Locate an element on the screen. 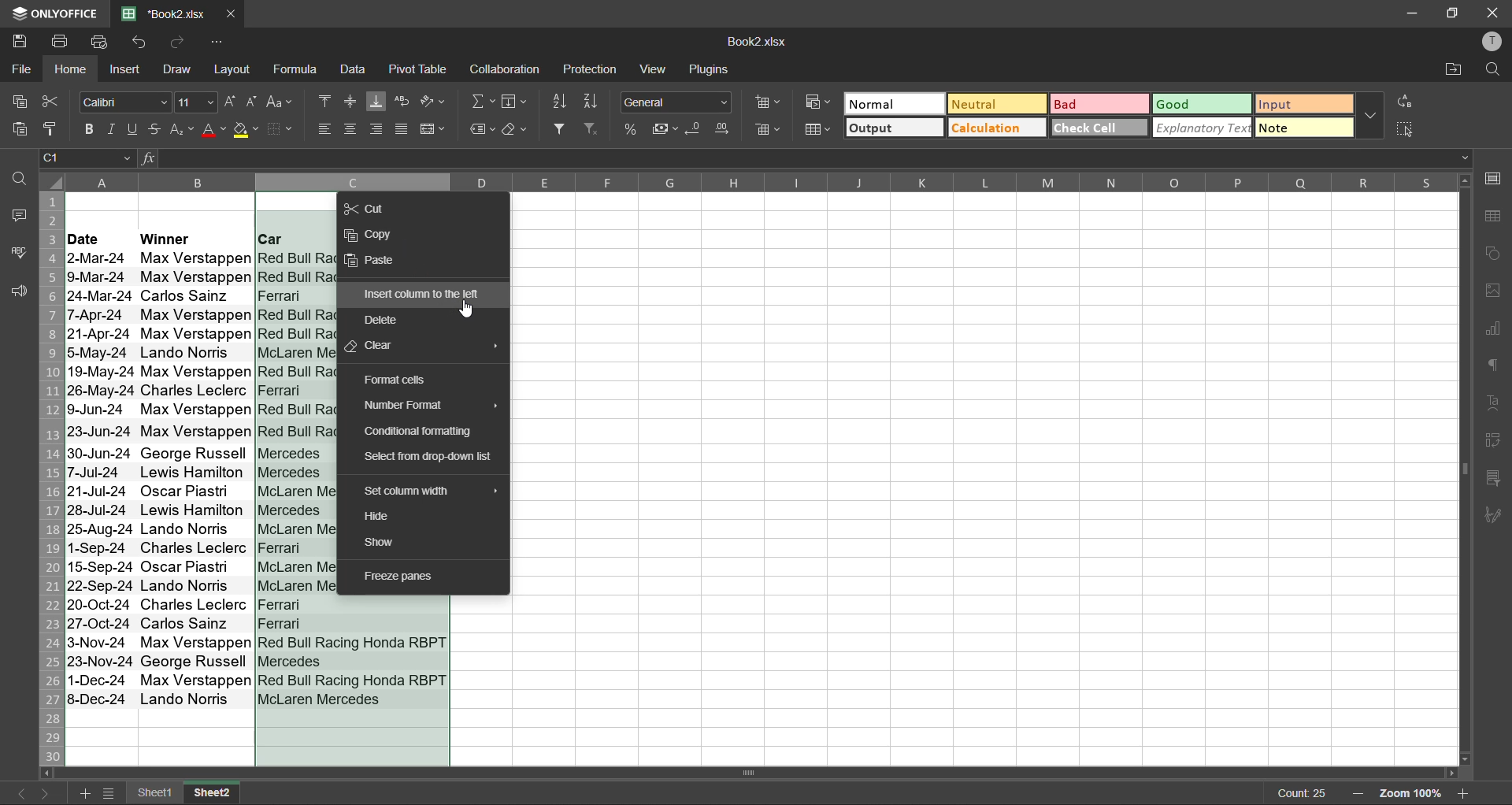 The width and height of the screenshot is (1512, 805). format as table is located at coordinates (817, 132).